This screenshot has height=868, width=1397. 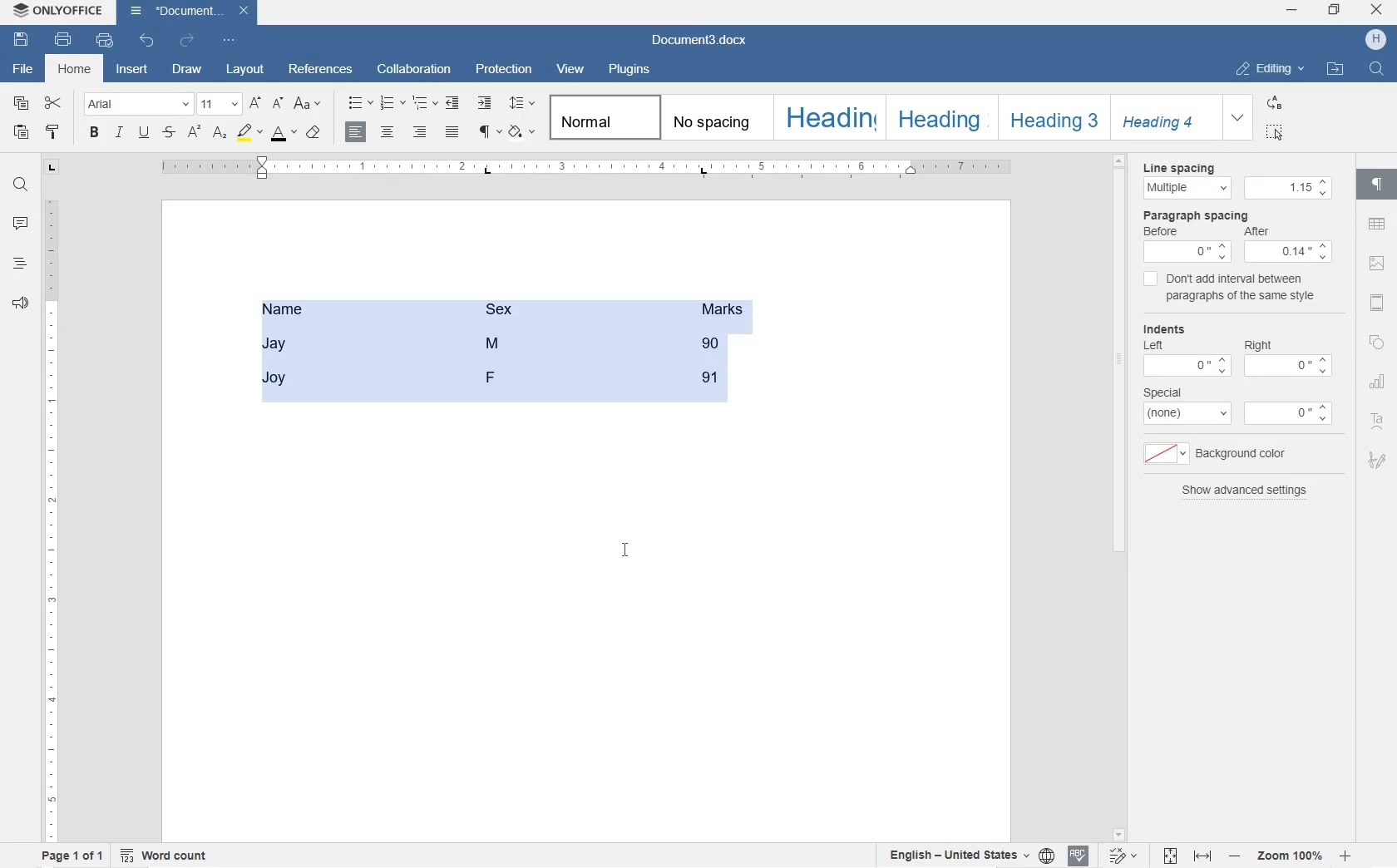 I want to click on ALIGN LEFT, so click(x=358, y=132).